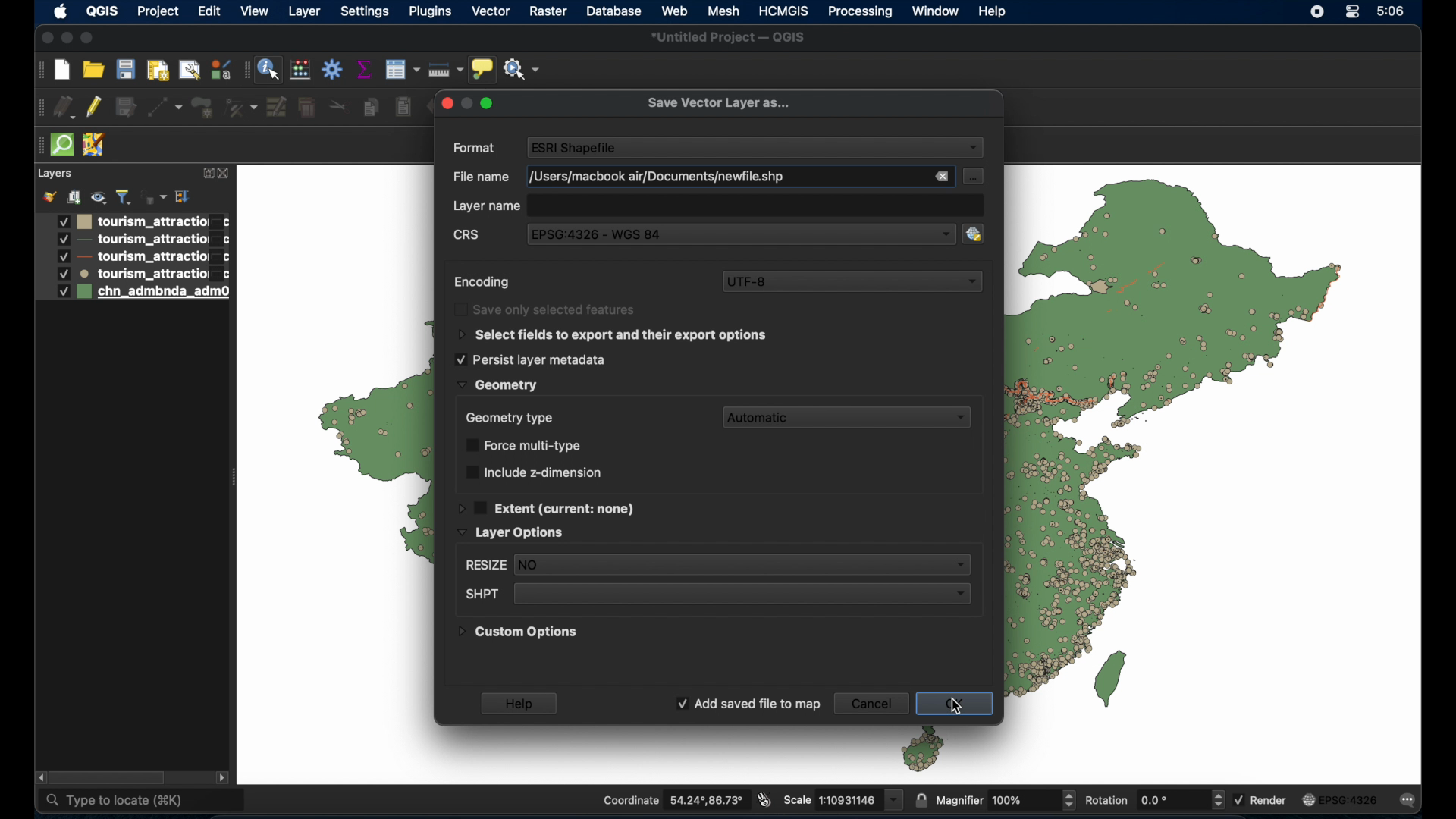 The width and height of the screenshot is (1456, 819). I want to click on ESRI share file, so click(576, 146).